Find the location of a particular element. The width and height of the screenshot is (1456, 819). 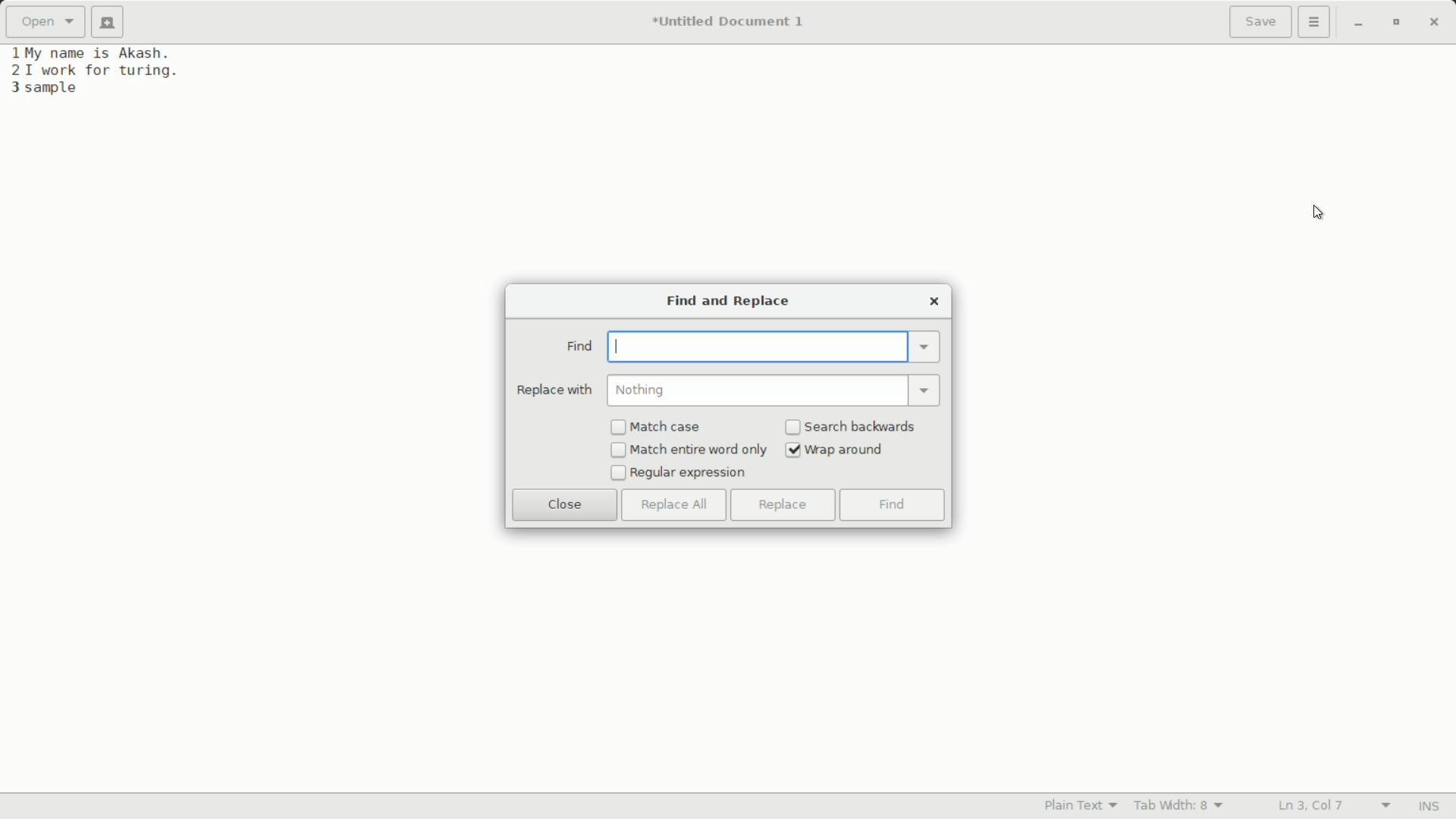

checkbox is located at coordinates (617, 473).